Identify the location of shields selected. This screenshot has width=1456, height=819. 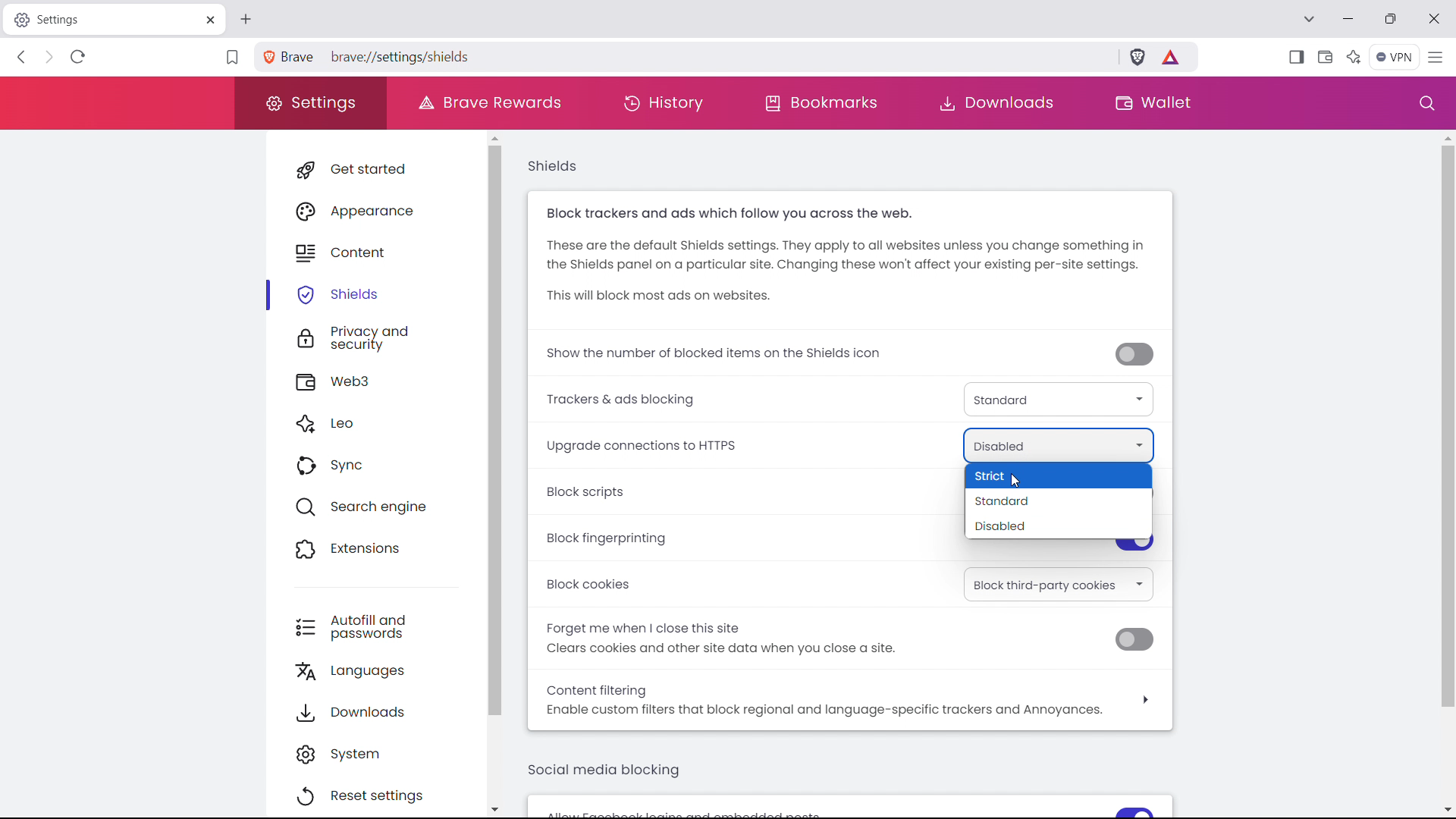
(372, 293).